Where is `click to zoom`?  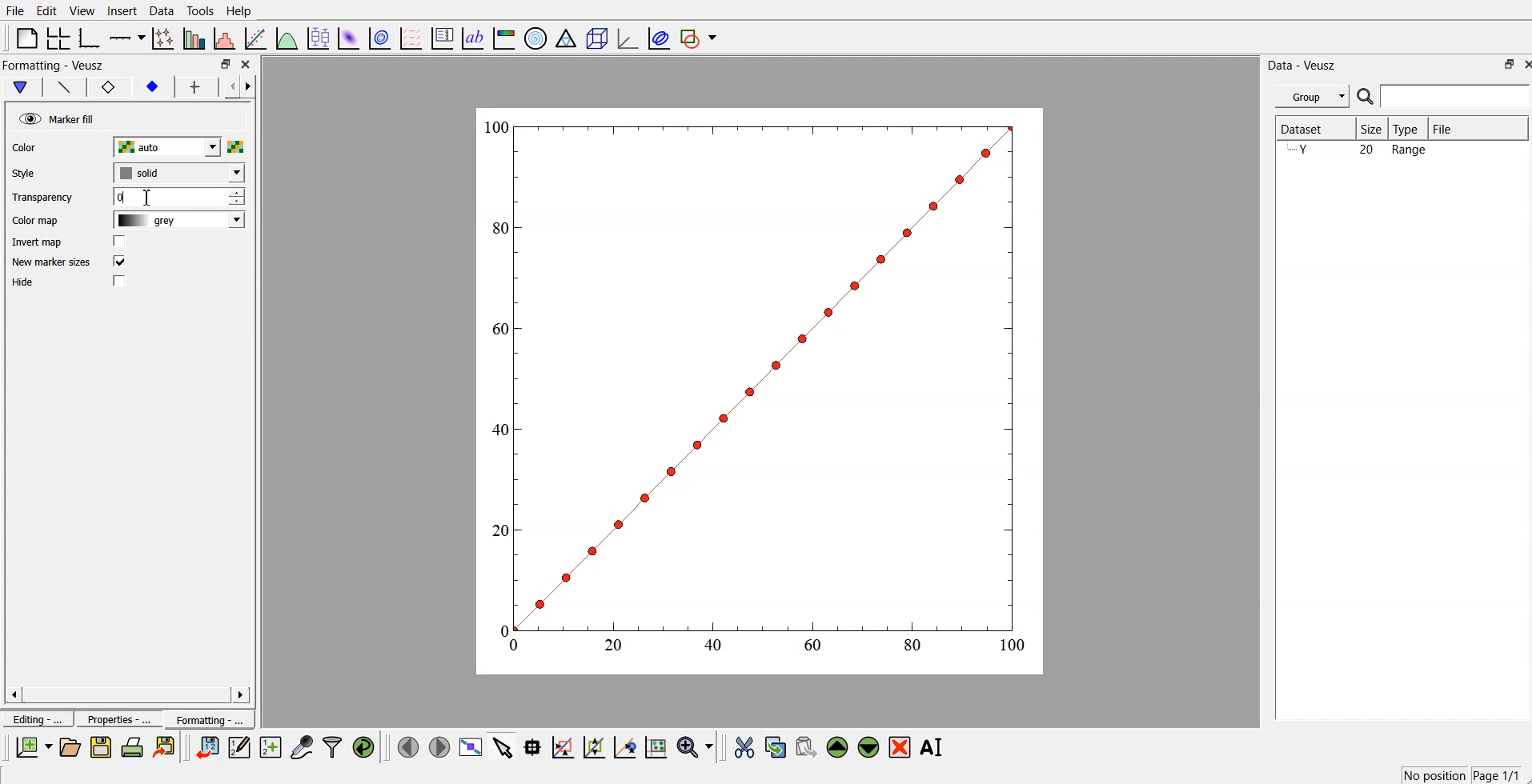
click to zoom is located at coordinates (596, 746).